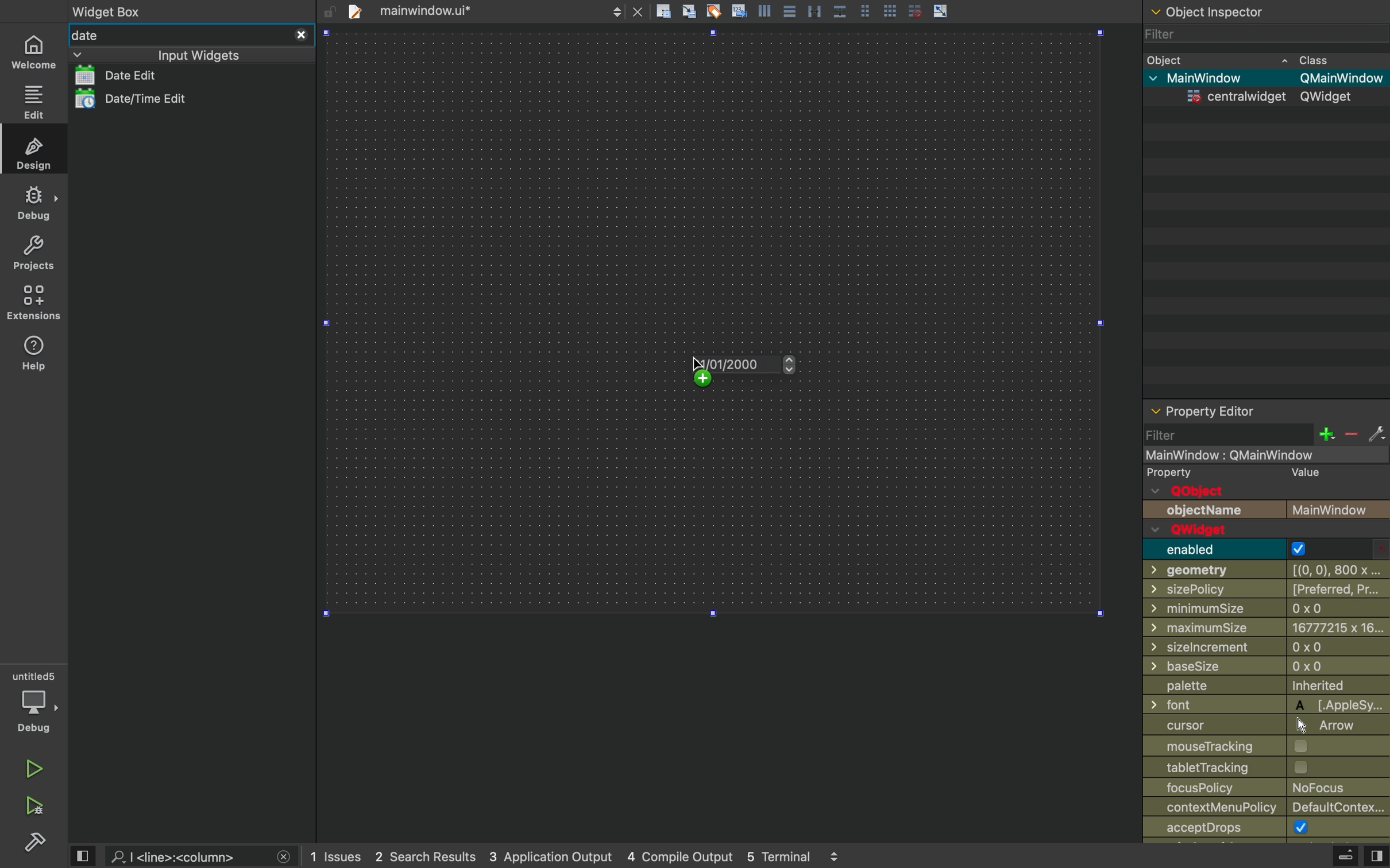 This screenshot has width=1390, height=868. I want to click on extrude, so click(1347, 856).